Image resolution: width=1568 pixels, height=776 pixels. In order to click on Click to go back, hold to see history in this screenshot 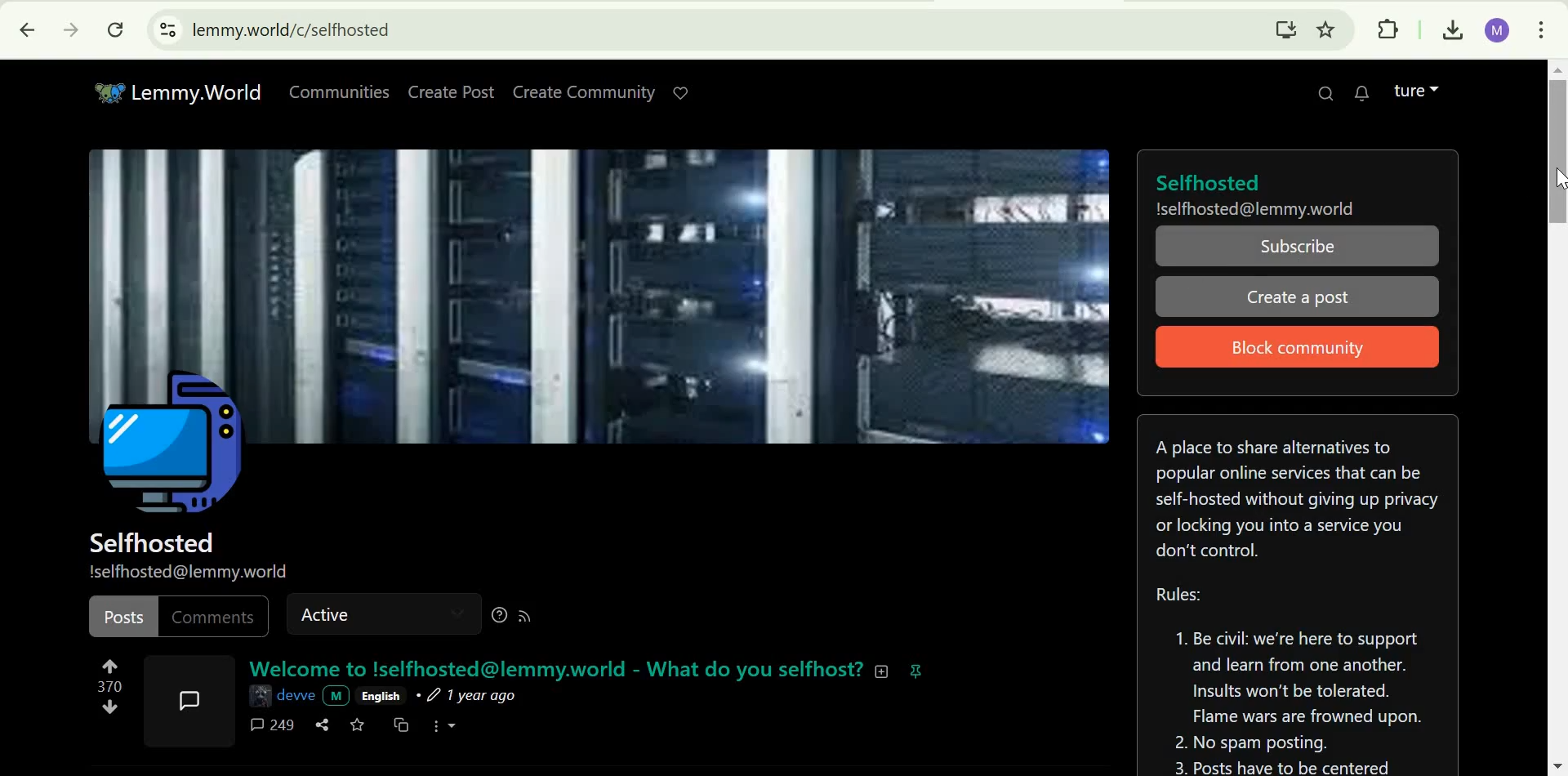, I will do `click(28, 29)`.